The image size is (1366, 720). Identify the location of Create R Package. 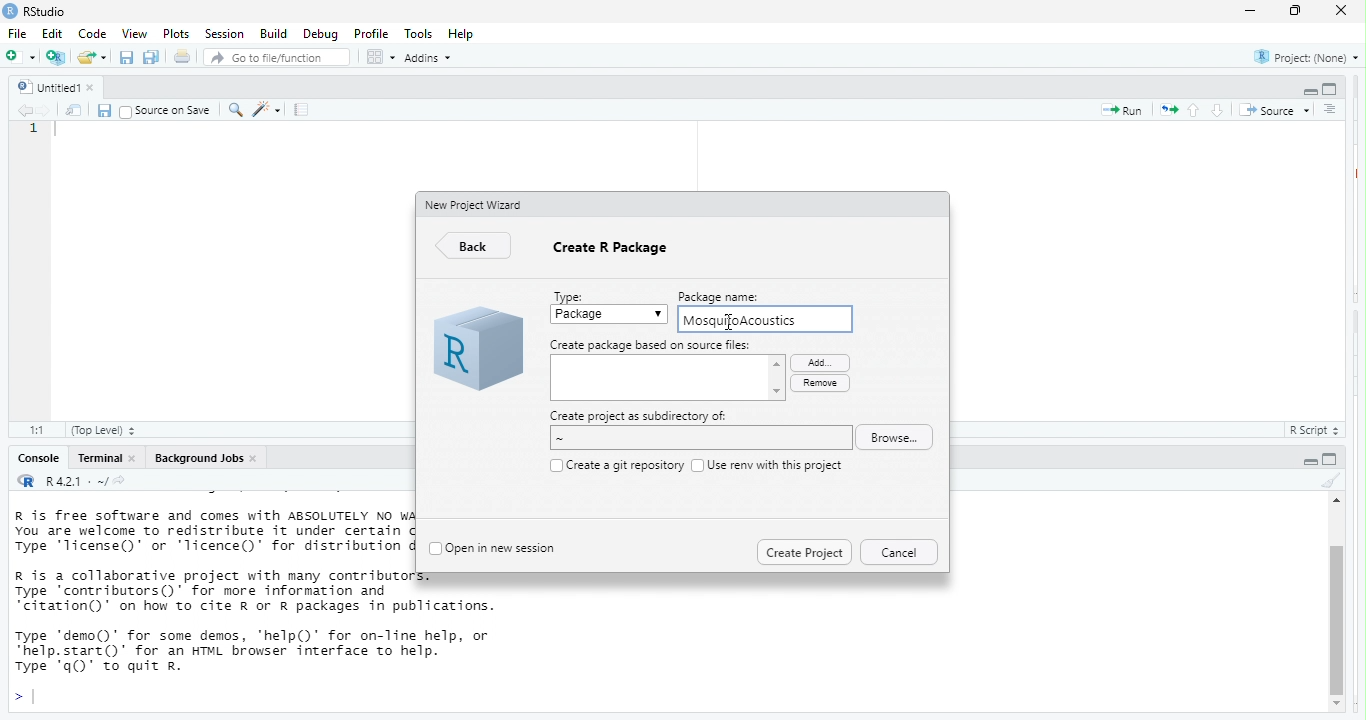
(614, 252).